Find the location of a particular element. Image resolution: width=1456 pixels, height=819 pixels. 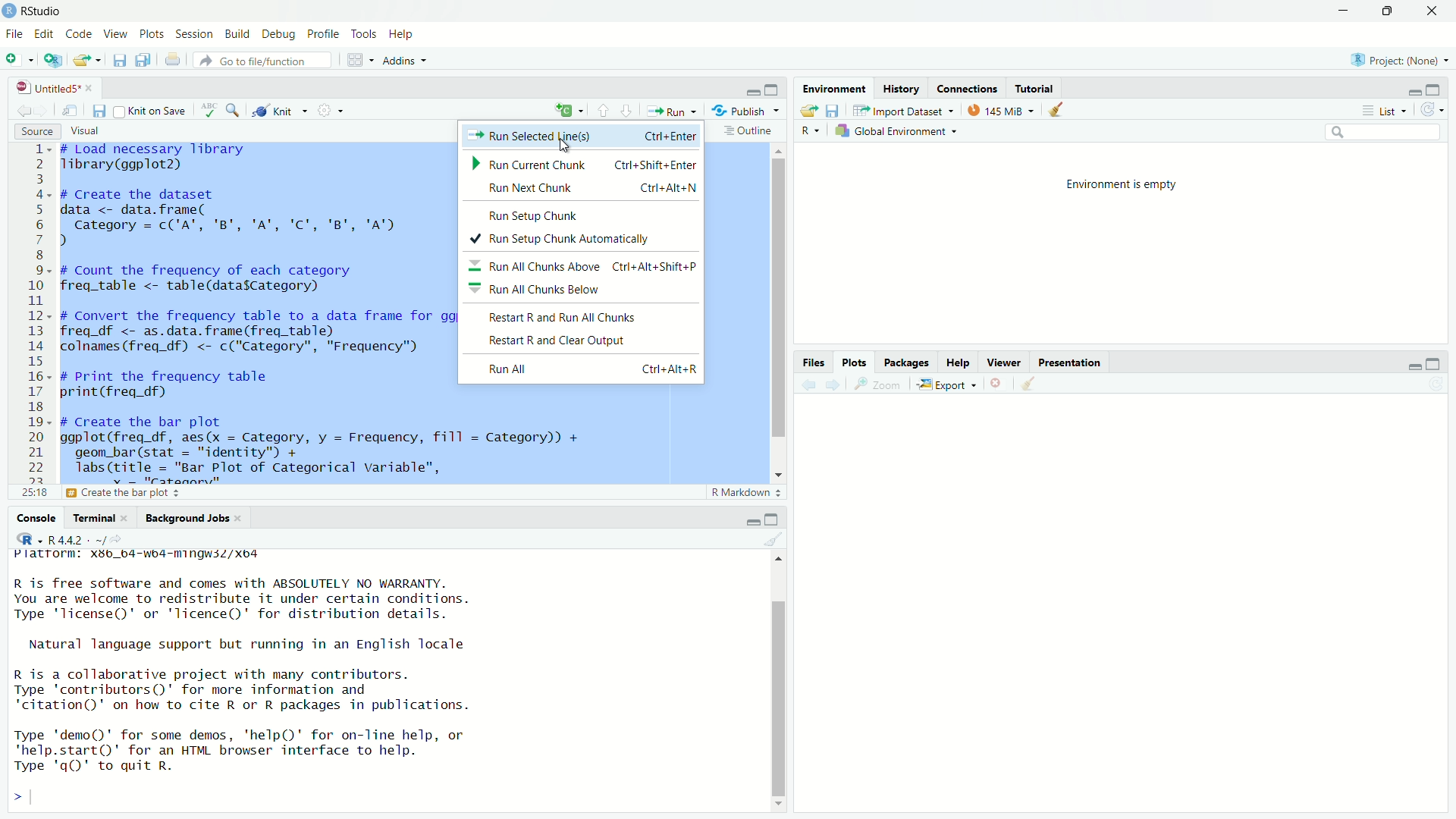

1 Restart R and Clear Output is located at coordinates (576, 340).